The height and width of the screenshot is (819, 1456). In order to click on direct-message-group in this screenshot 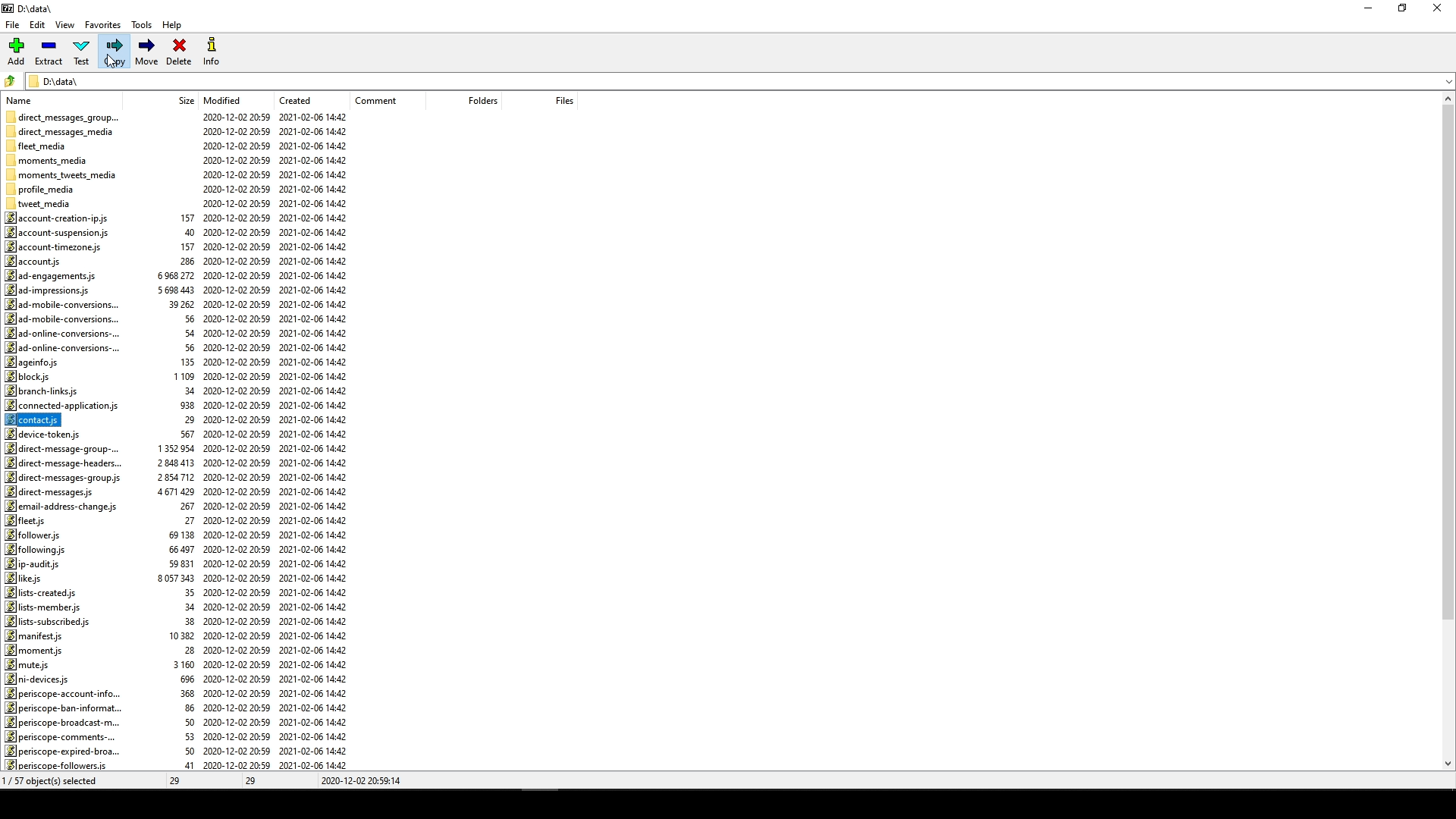, I will do `click(67, 449)`.